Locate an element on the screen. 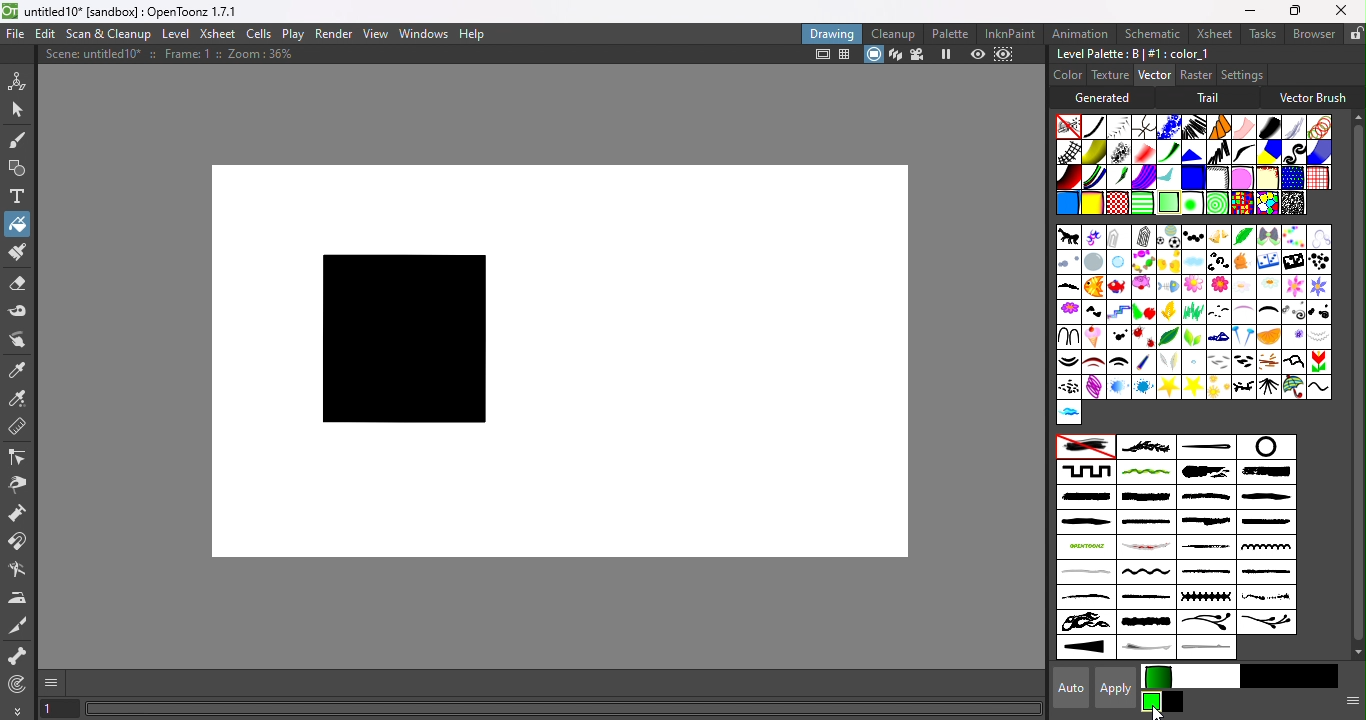 Image resolution: width=1366 pixels, height=720 pixels. current style is located at coordinates (1195, 677).